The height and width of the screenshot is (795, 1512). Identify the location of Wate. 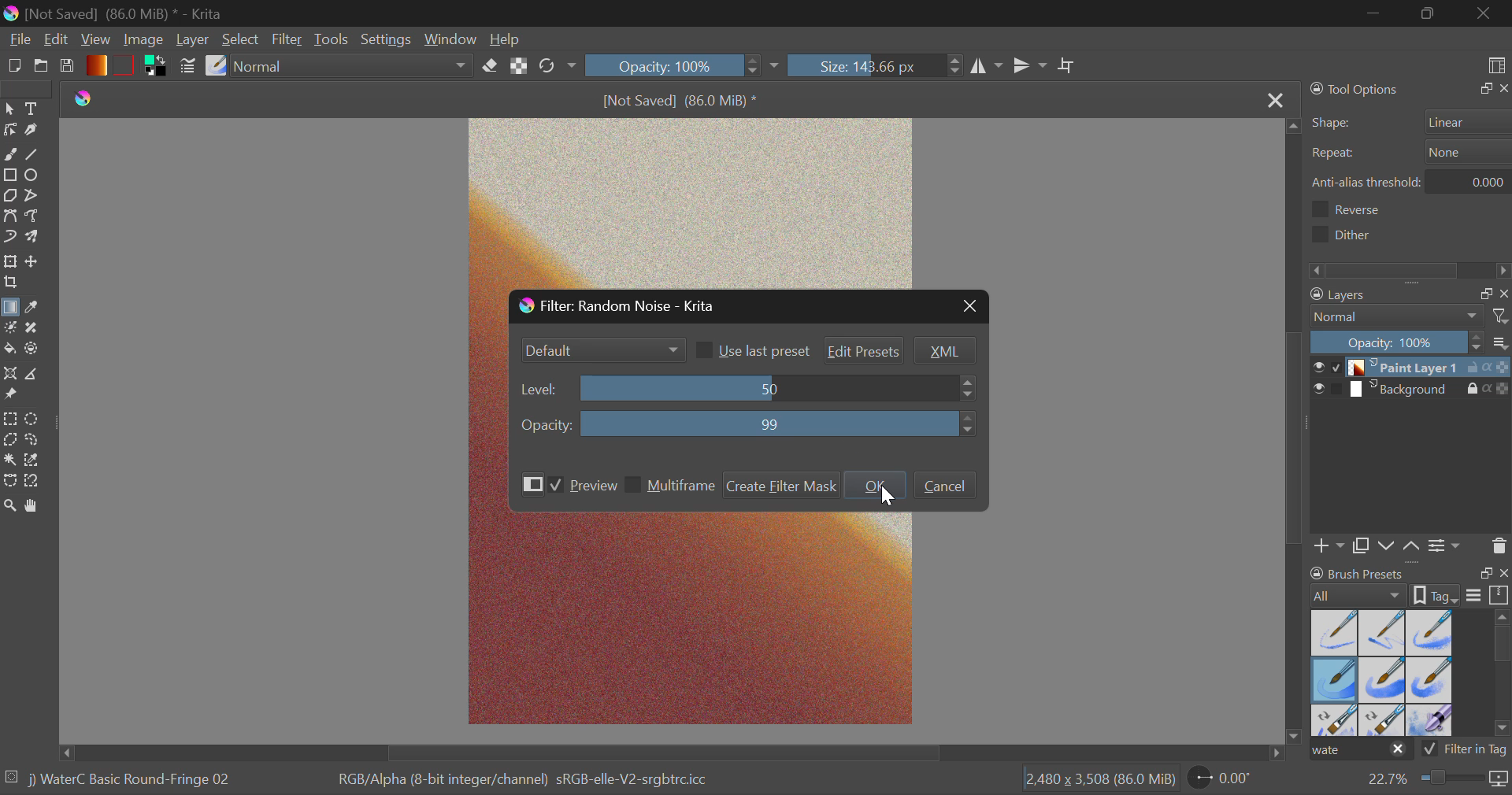
(1361, 751).